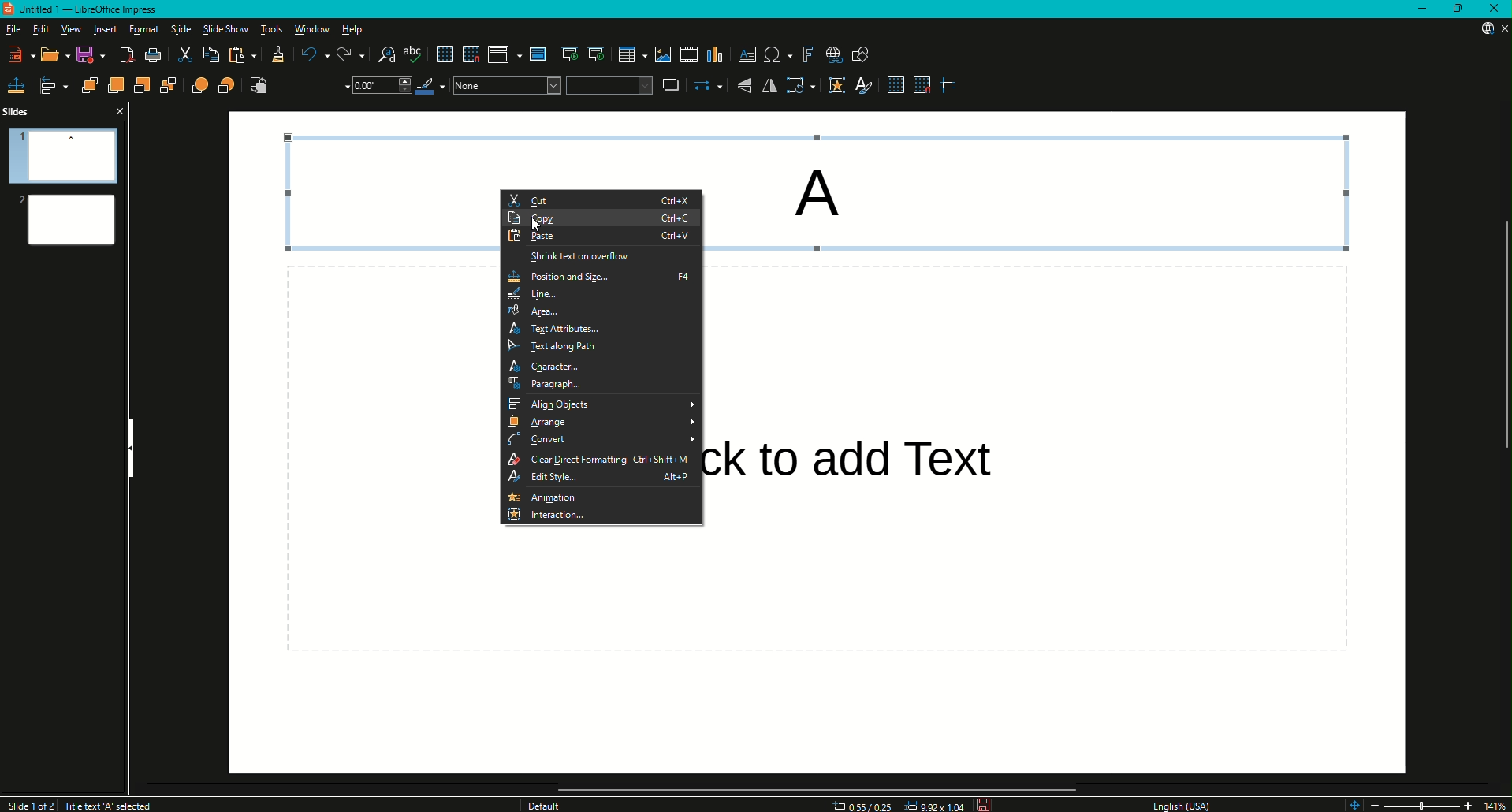 This screenshot has width=1512, height=812. Describe the element at coordinates (107, 30) in the screenshot. I see `Insert` at that location.